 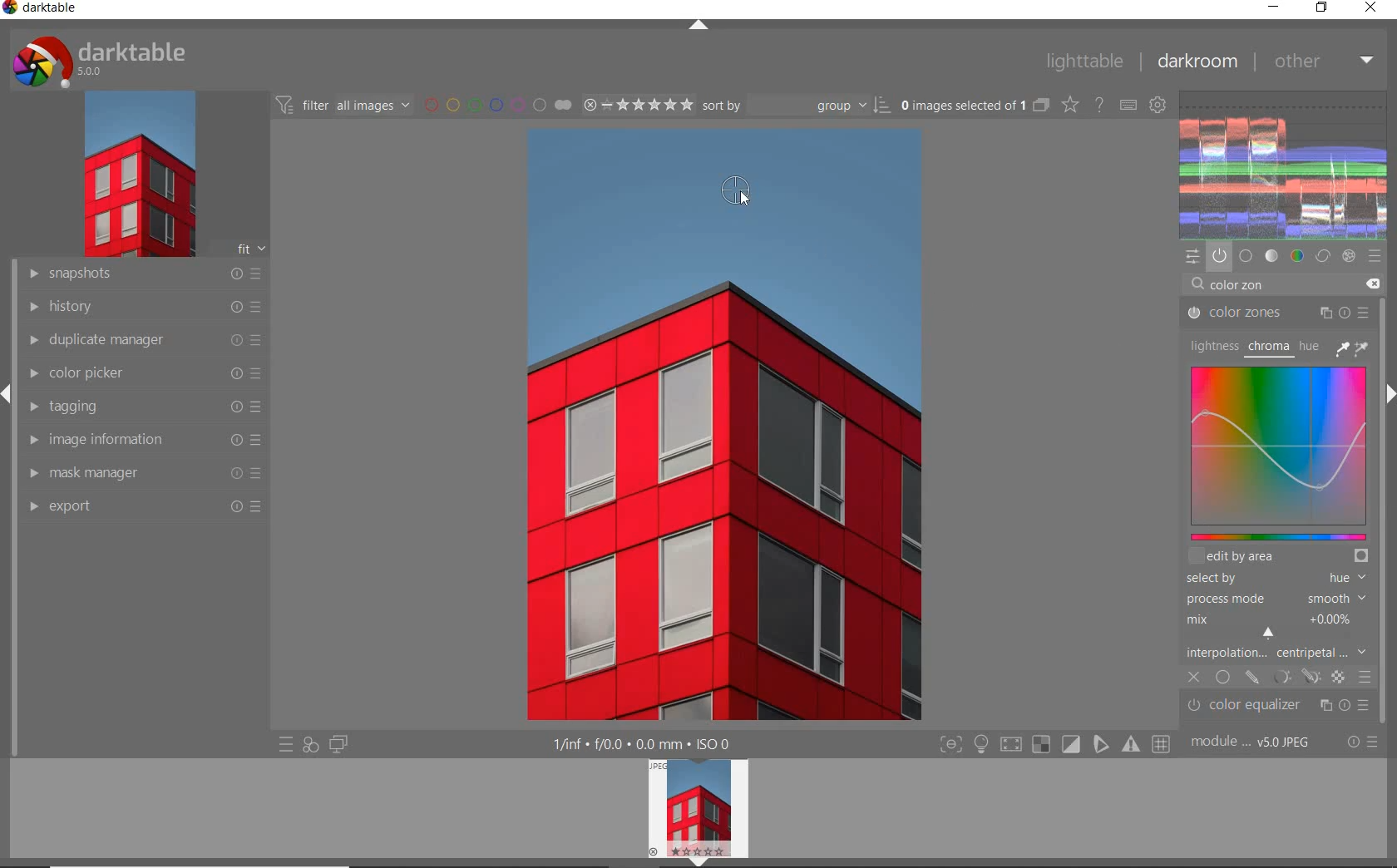 I want to click on color, so click(x=1296, y=256).